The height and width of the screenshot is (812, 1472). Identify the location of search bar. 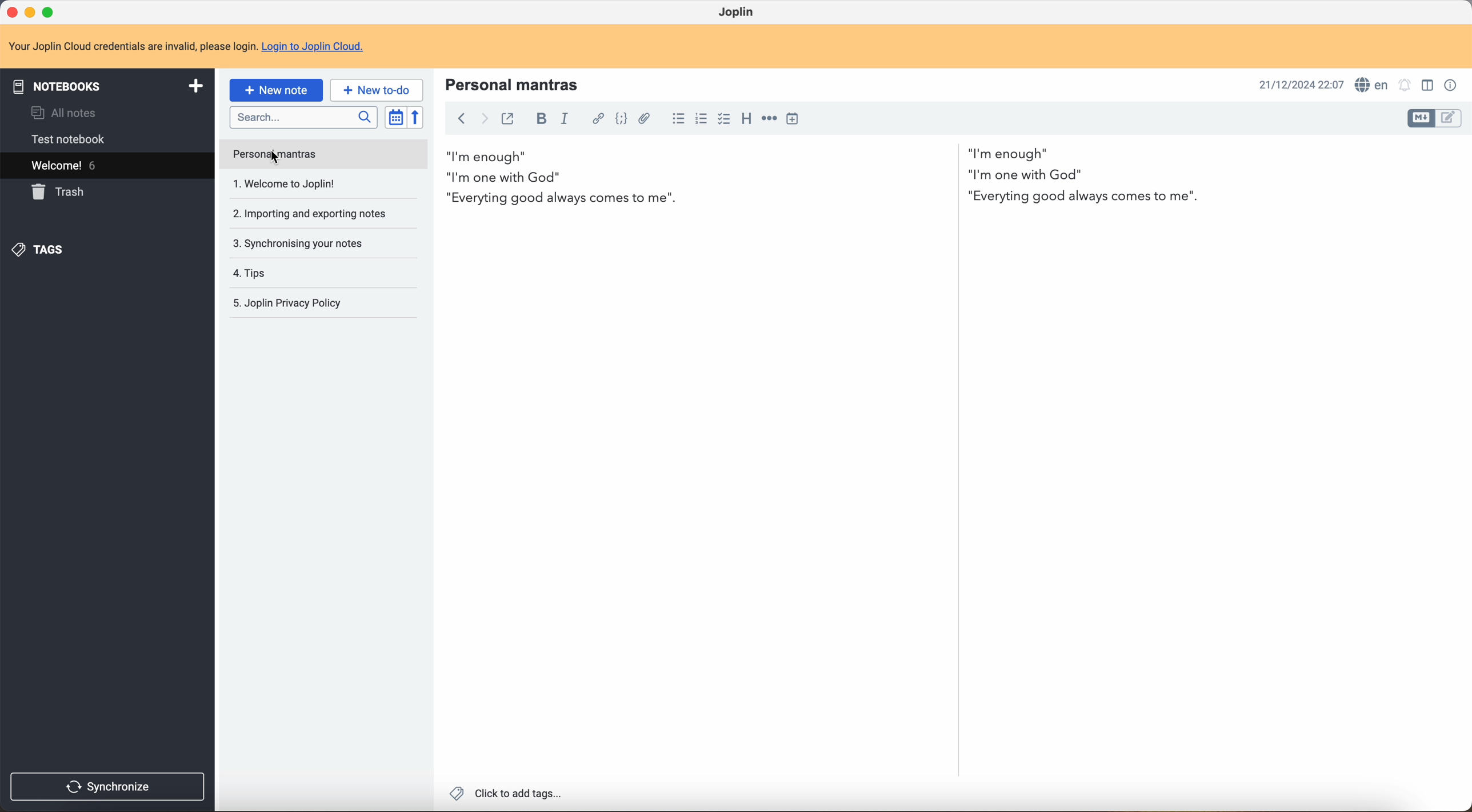
(303, 118).